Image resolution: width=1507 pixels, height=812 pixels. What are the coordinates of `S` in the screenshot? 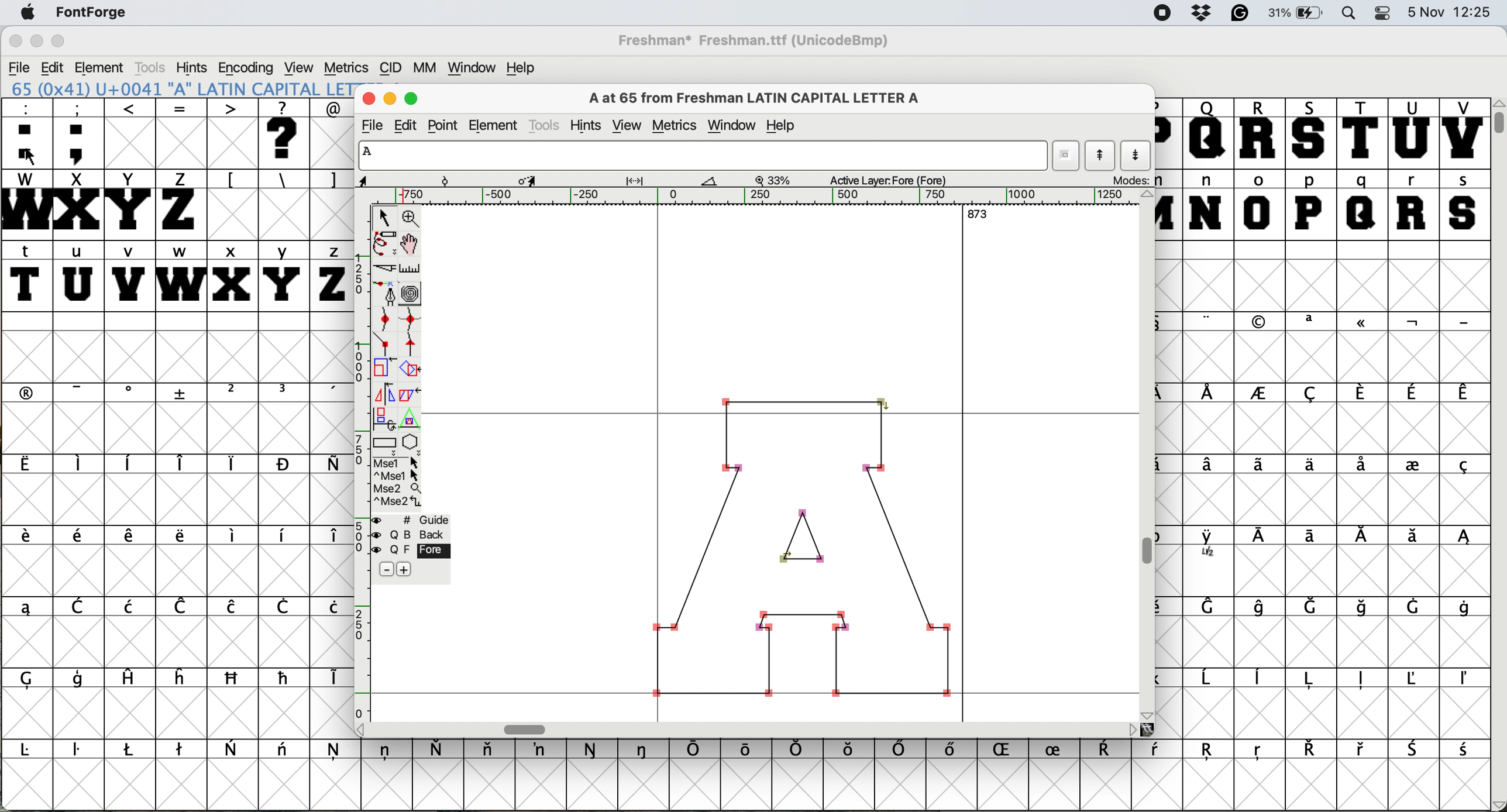 It's located at (1312, 133).